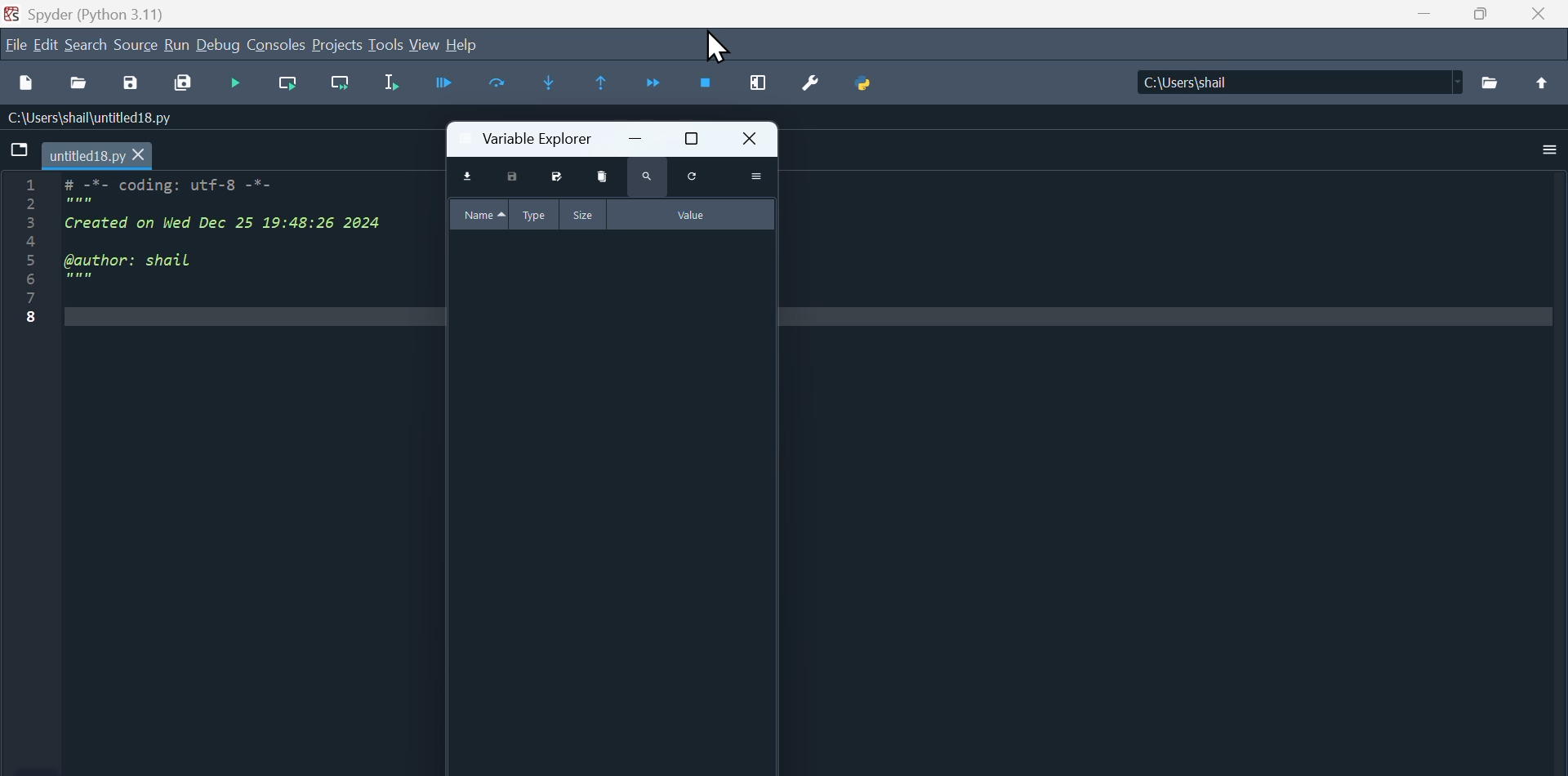 Image resolution: width=1568 pixels, height=776 pixels. What do you see at coordinates (1297, 82) in the screenshot?
I see `Folder: C:\Users\shail` at bounding box center [1297, 82].